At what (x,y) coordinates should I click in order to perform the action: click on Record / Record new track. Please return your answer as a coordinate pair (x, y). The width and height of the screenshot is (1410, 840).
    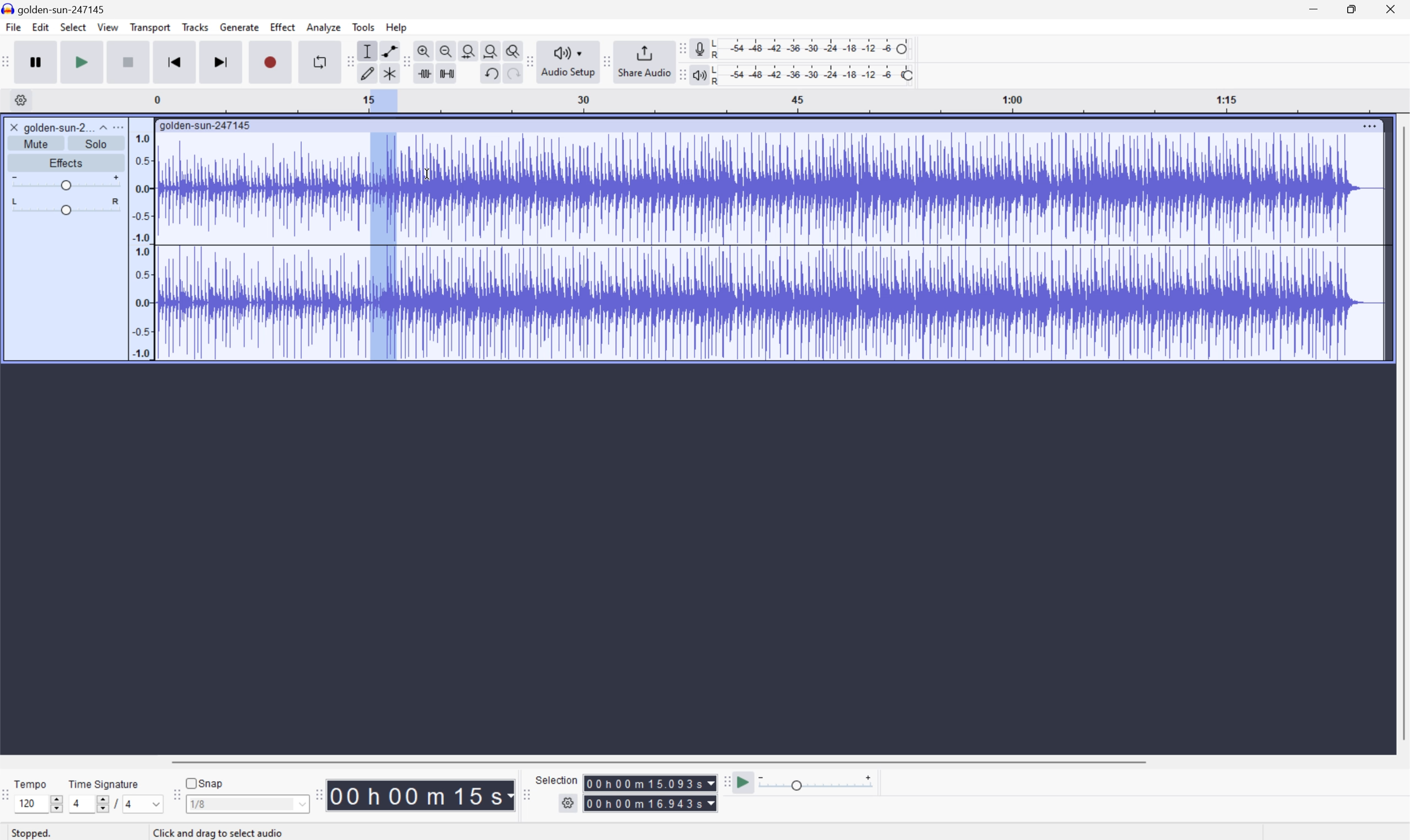
    Looking at the image, I should click on (272, 62).